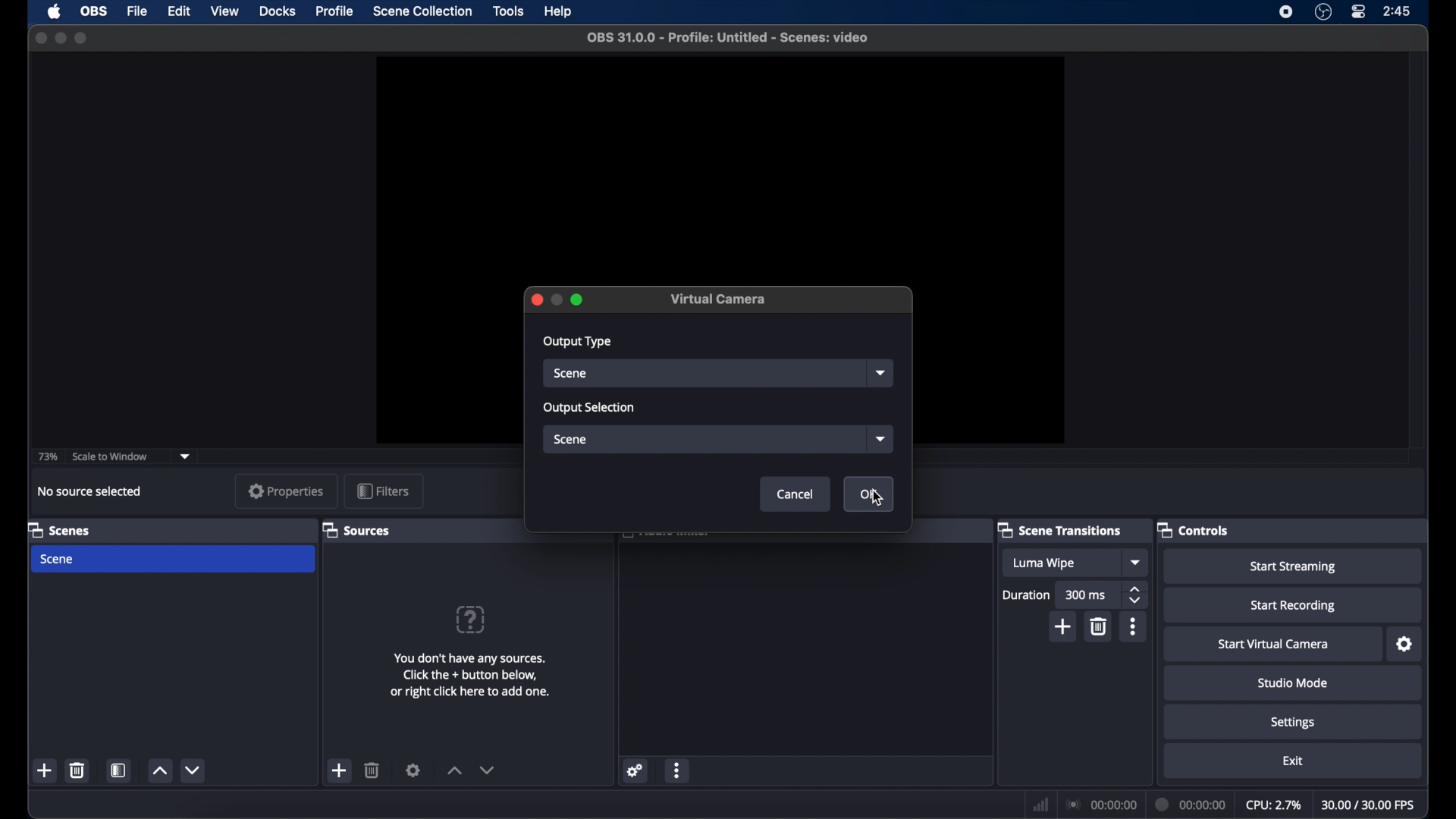  I want to click on delete, so click(372, 769).